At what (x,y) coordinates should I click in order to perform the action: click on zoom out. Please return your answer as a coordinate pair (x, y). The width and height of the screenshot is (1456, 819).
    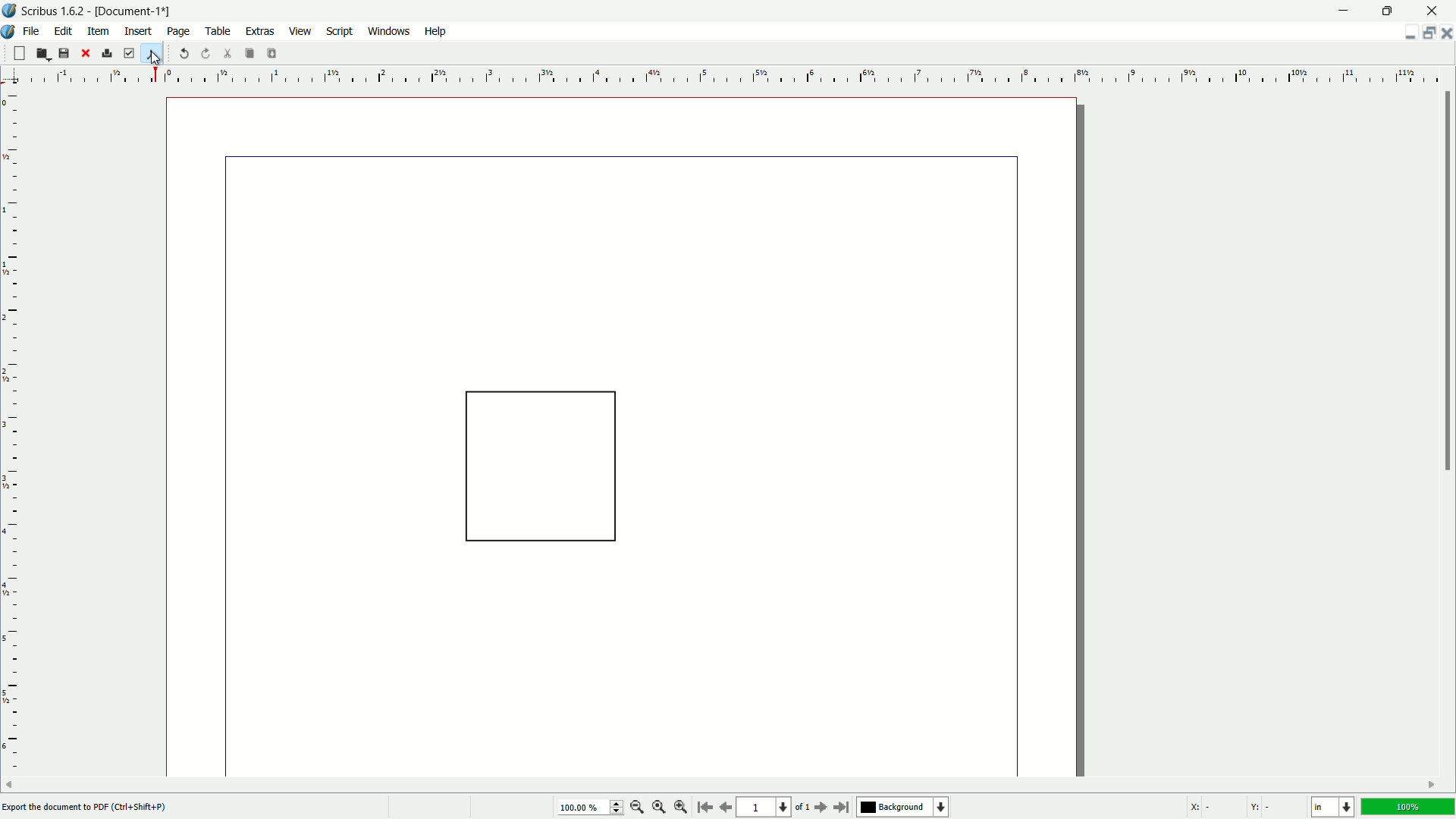
    Looking at the image, I should click on (638, 808).